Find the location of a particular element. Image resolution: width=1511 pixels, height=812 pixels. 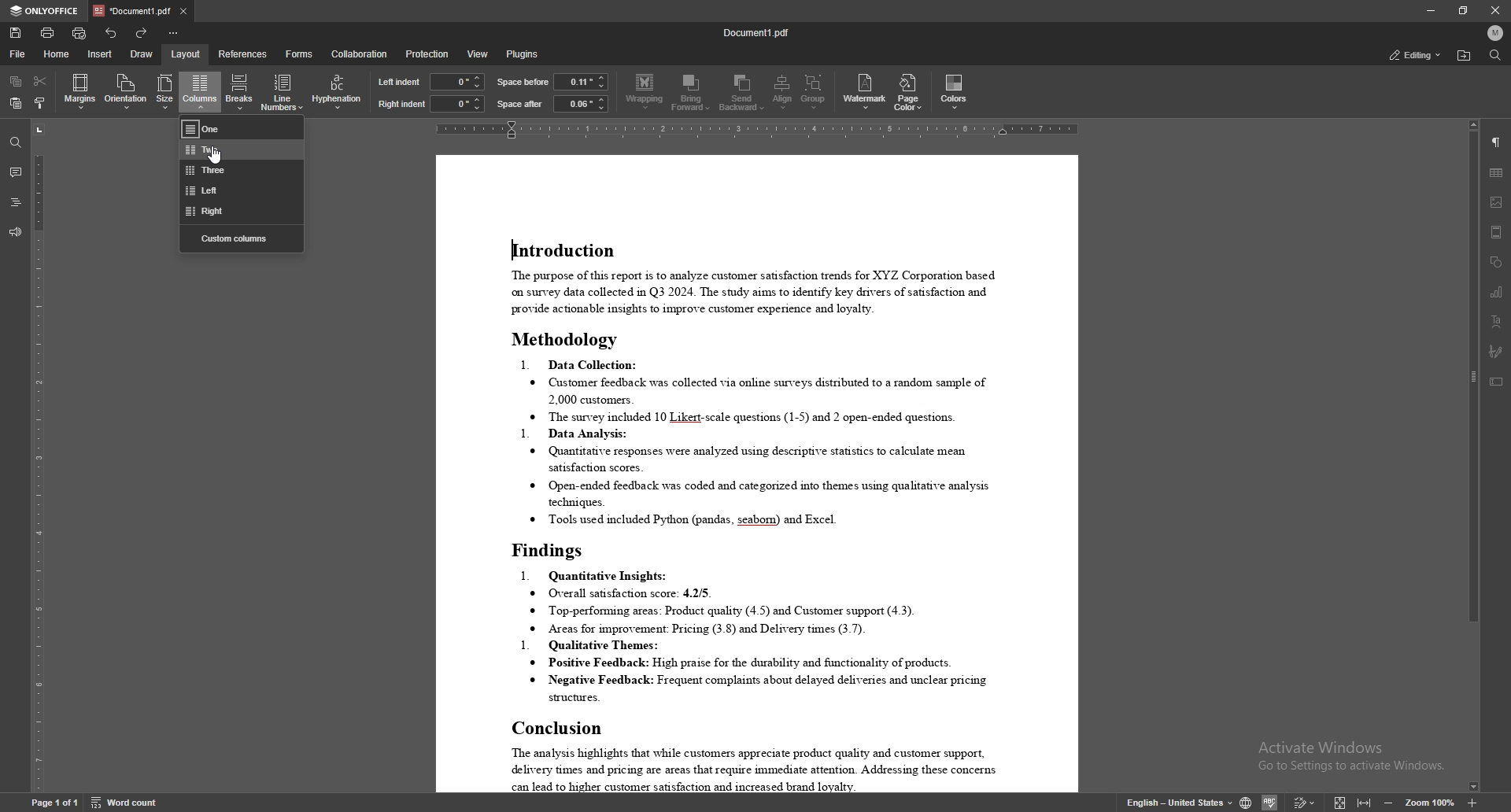

view is located at coordinates (478, 54).